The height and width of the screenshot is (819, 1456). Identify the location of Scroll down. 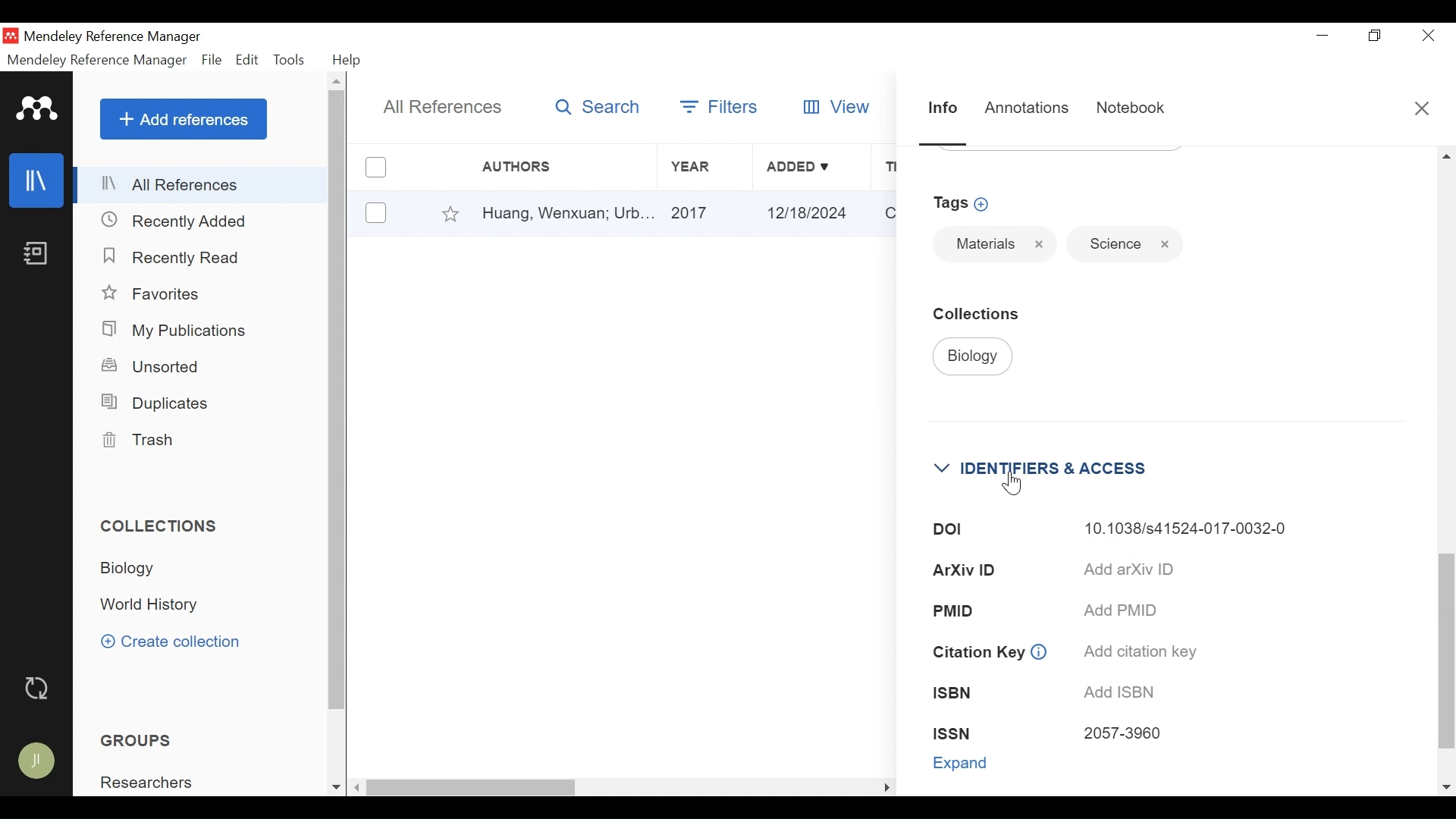
(334, 787).